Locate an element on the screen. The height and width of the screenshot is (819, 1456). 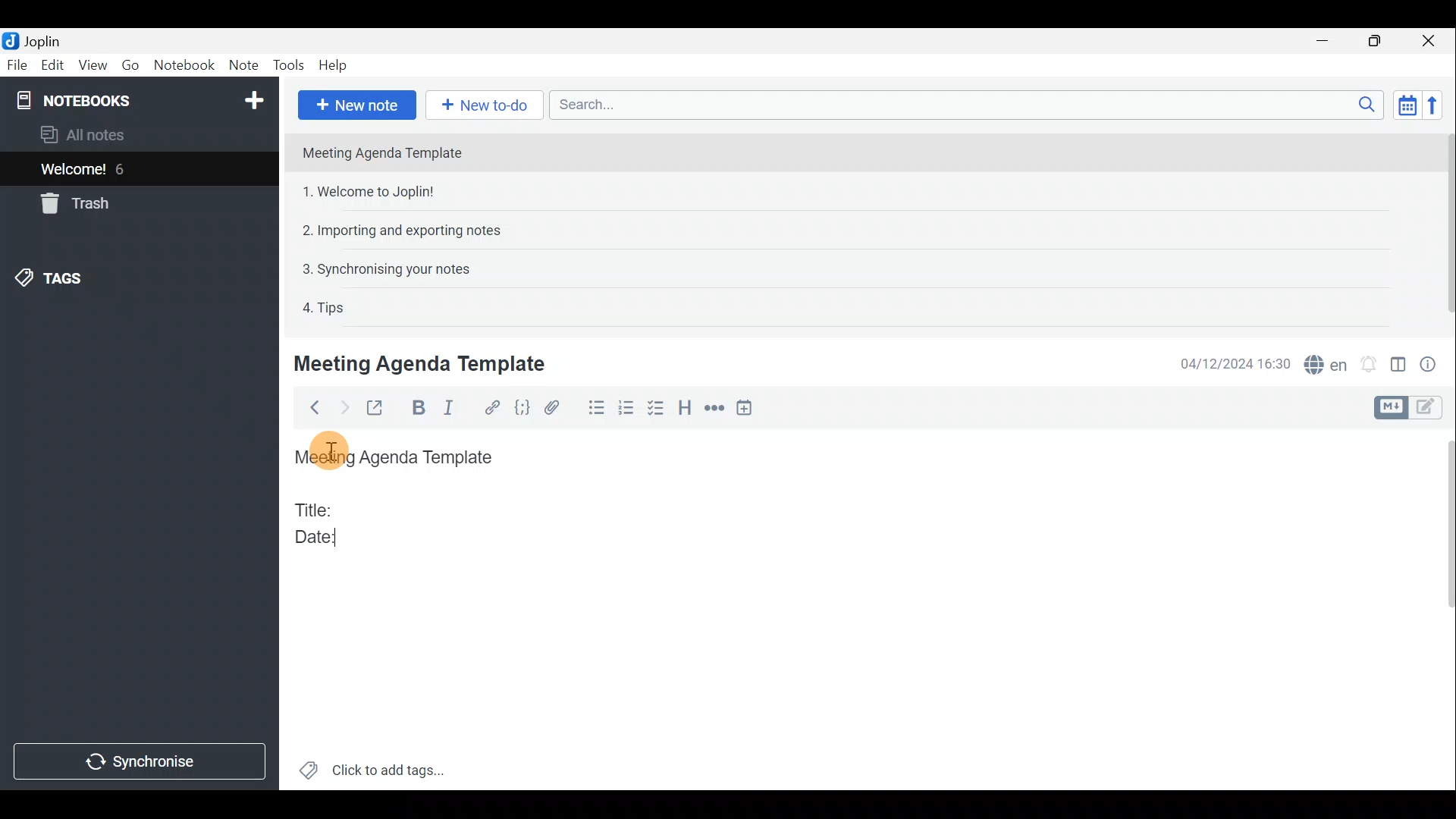
File is located at coordinates (17, 64).